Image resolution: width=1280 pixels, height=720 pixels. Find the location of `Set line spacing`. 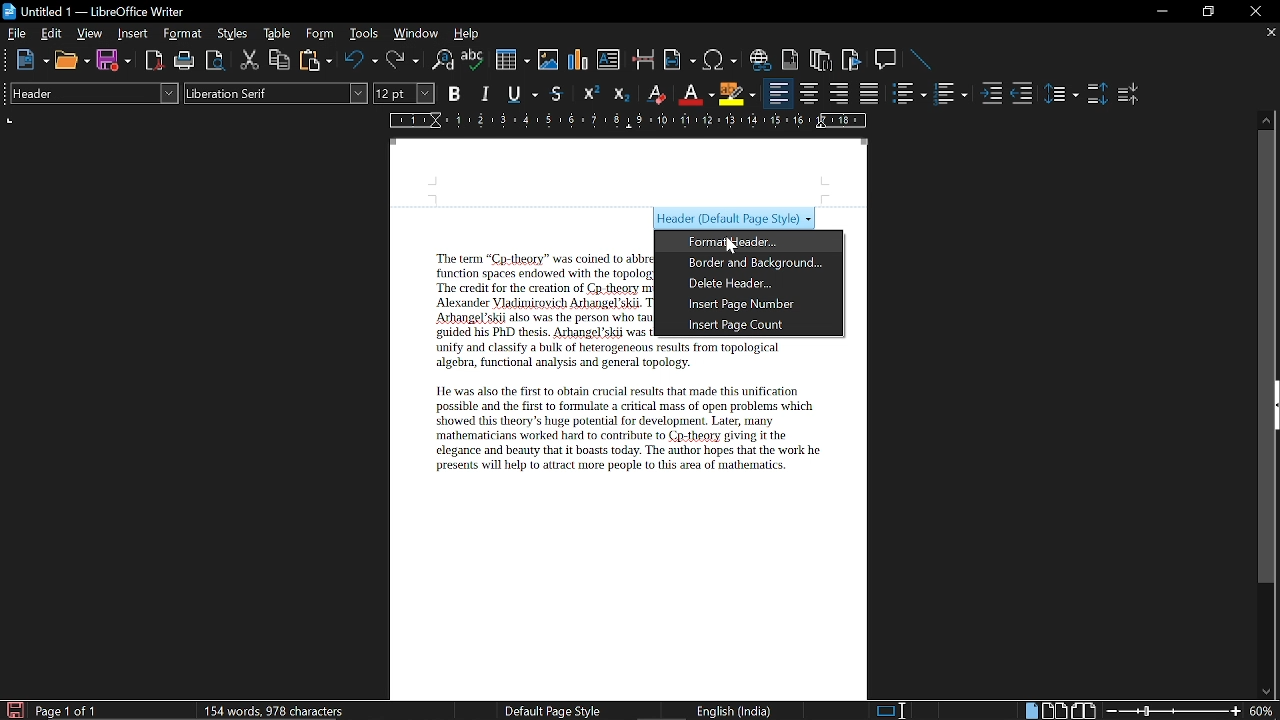

Set line spacing is located at coordinates (1060, 94).